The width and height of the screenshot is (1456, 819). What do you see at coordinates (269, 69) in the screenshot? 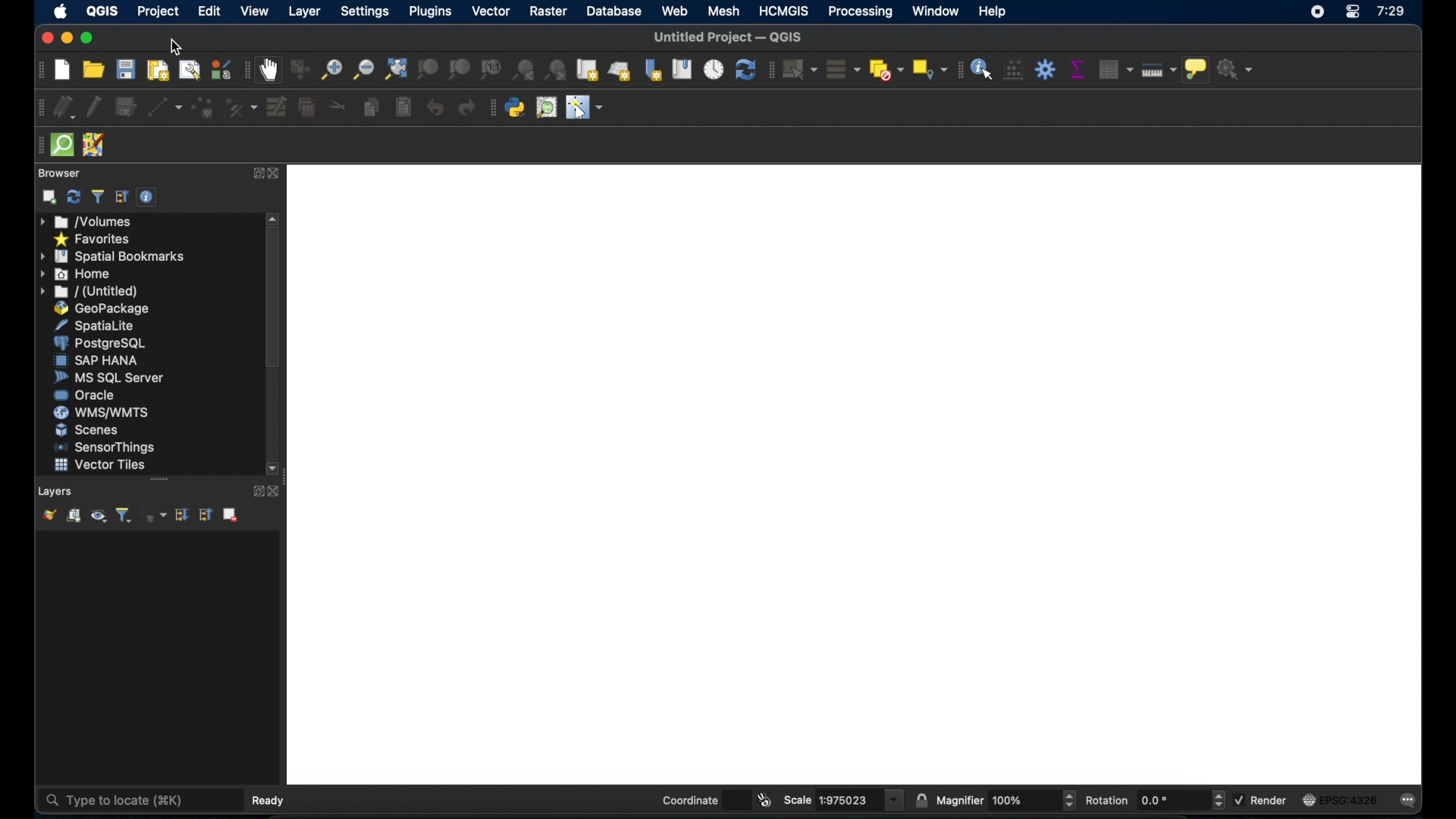
I see `pan map` at bounding box center [269, 69].